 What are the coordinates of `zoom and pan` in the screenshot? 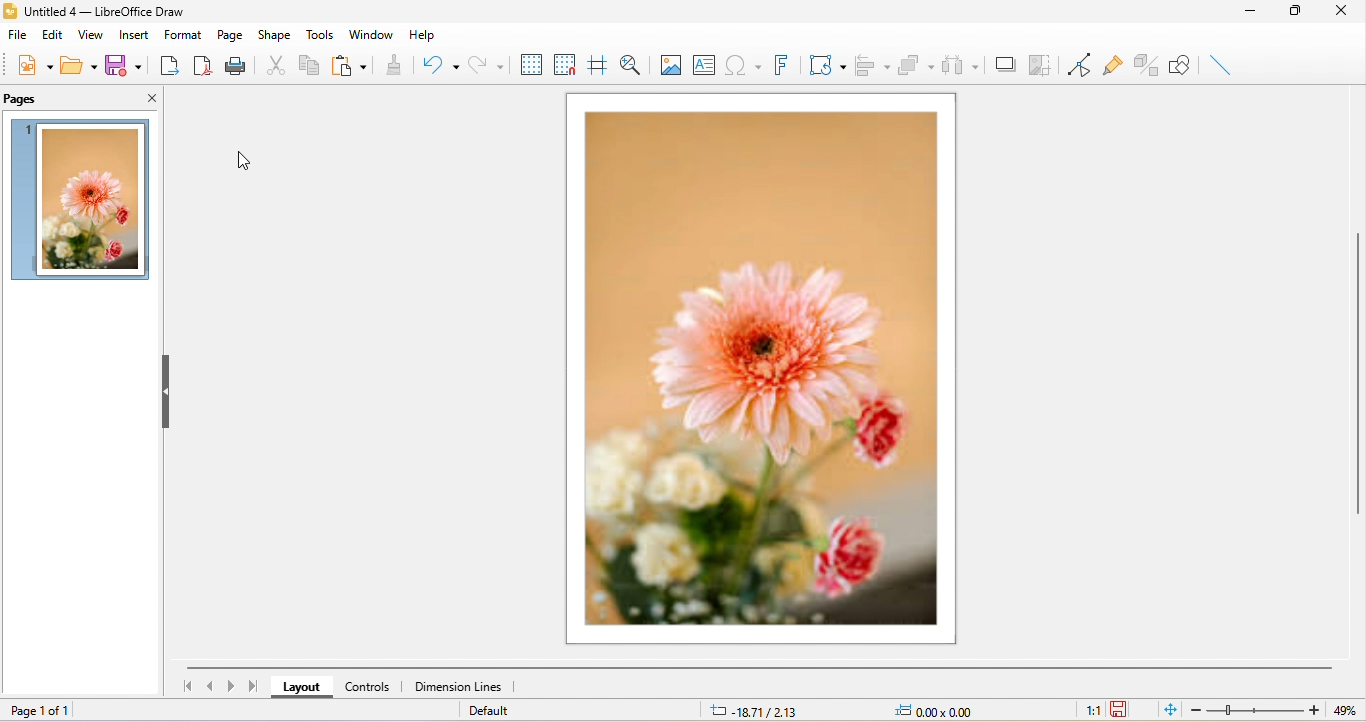 It's located at (631, 64).